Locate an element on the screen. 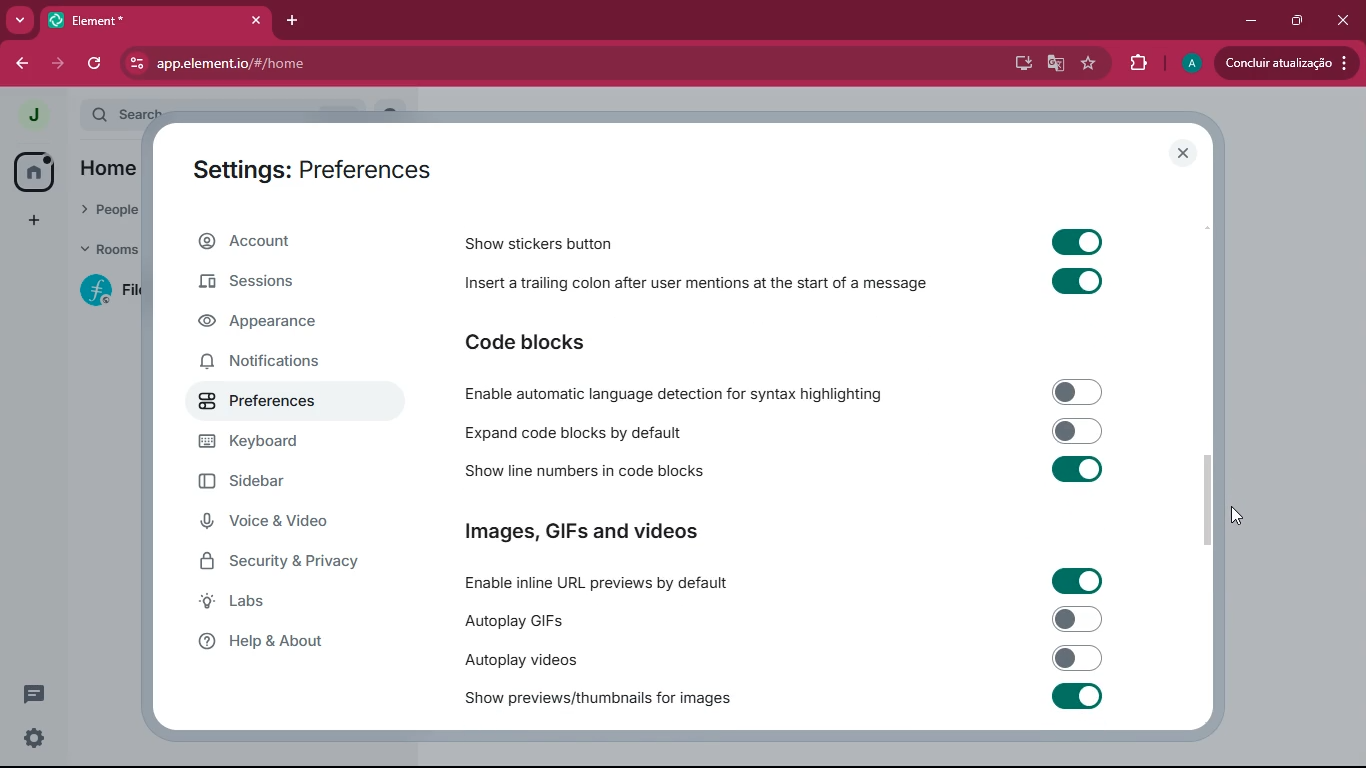 The width and height of the screenshot is (1366, 768). autoplay gifs is located at coordinates (511, 620).